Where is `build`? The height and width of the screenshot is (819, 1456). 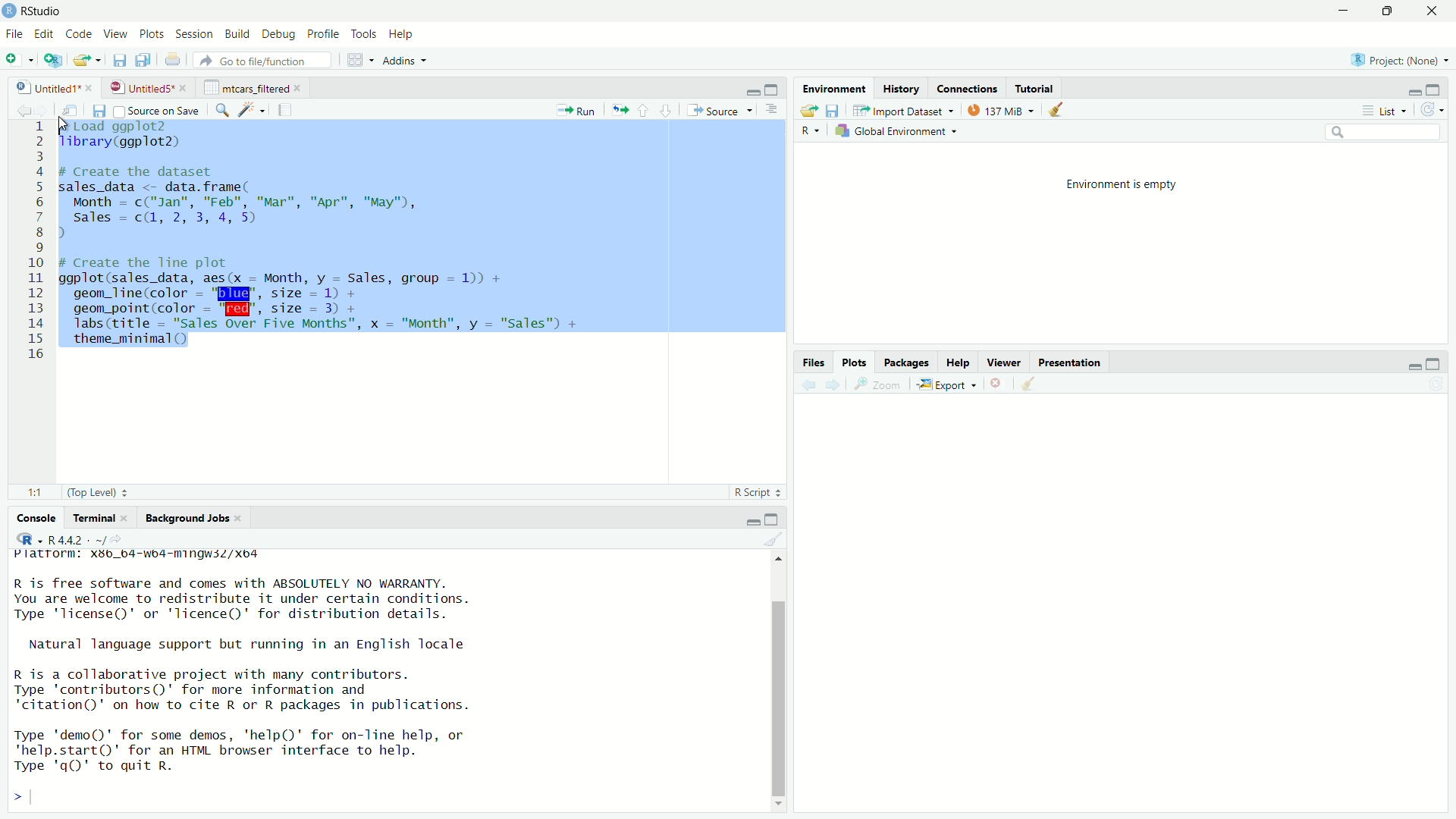
build is located at coordinates (239, 34).